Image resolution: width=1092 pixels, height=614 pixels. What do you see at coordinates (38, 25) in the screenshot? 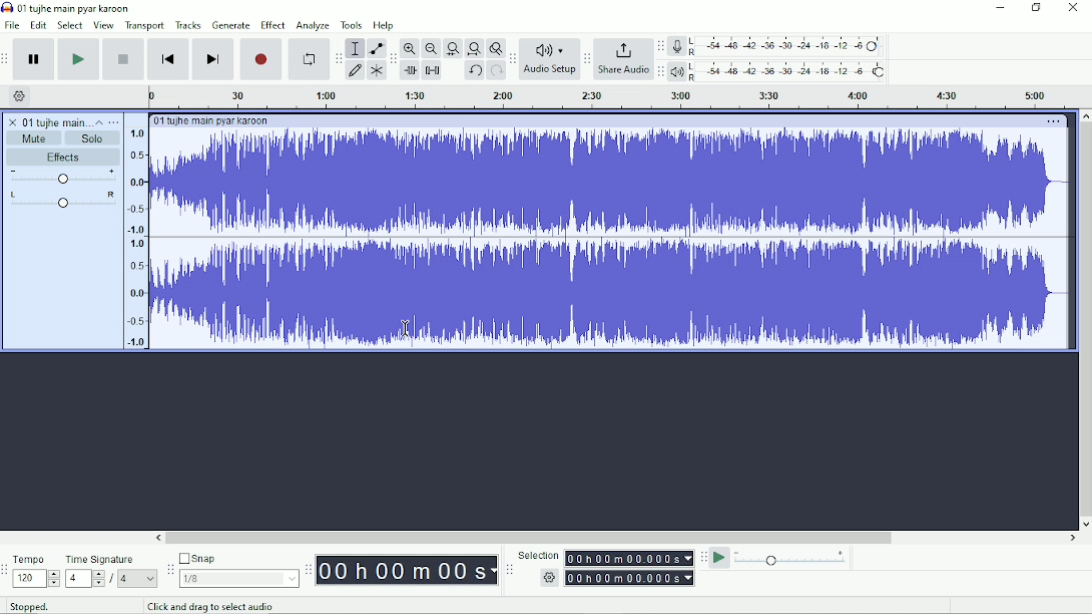
I see `Edit` at bounding box center [38, 25].